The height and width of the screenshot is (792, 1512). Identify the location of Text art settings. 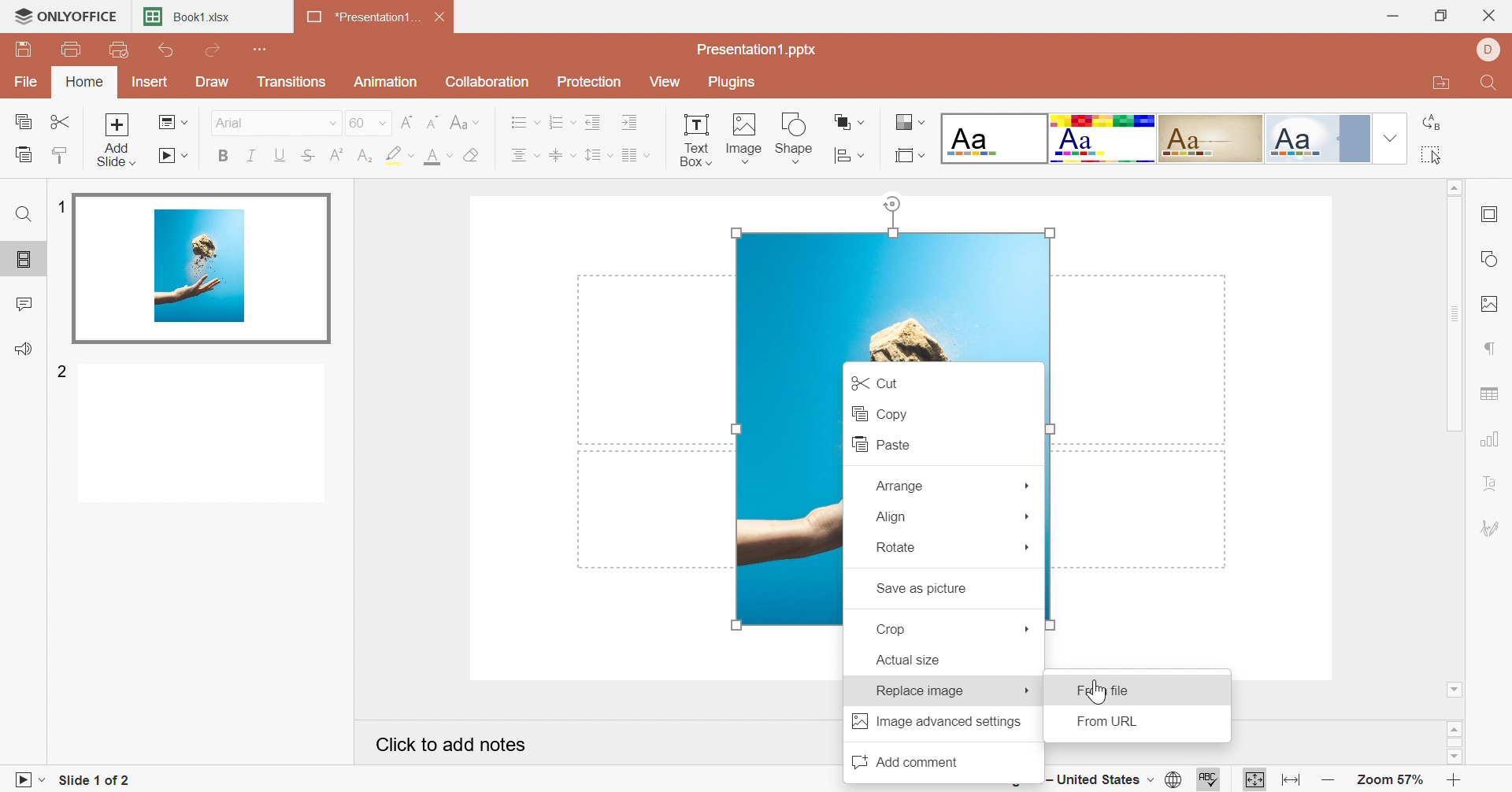
(1493, 483).